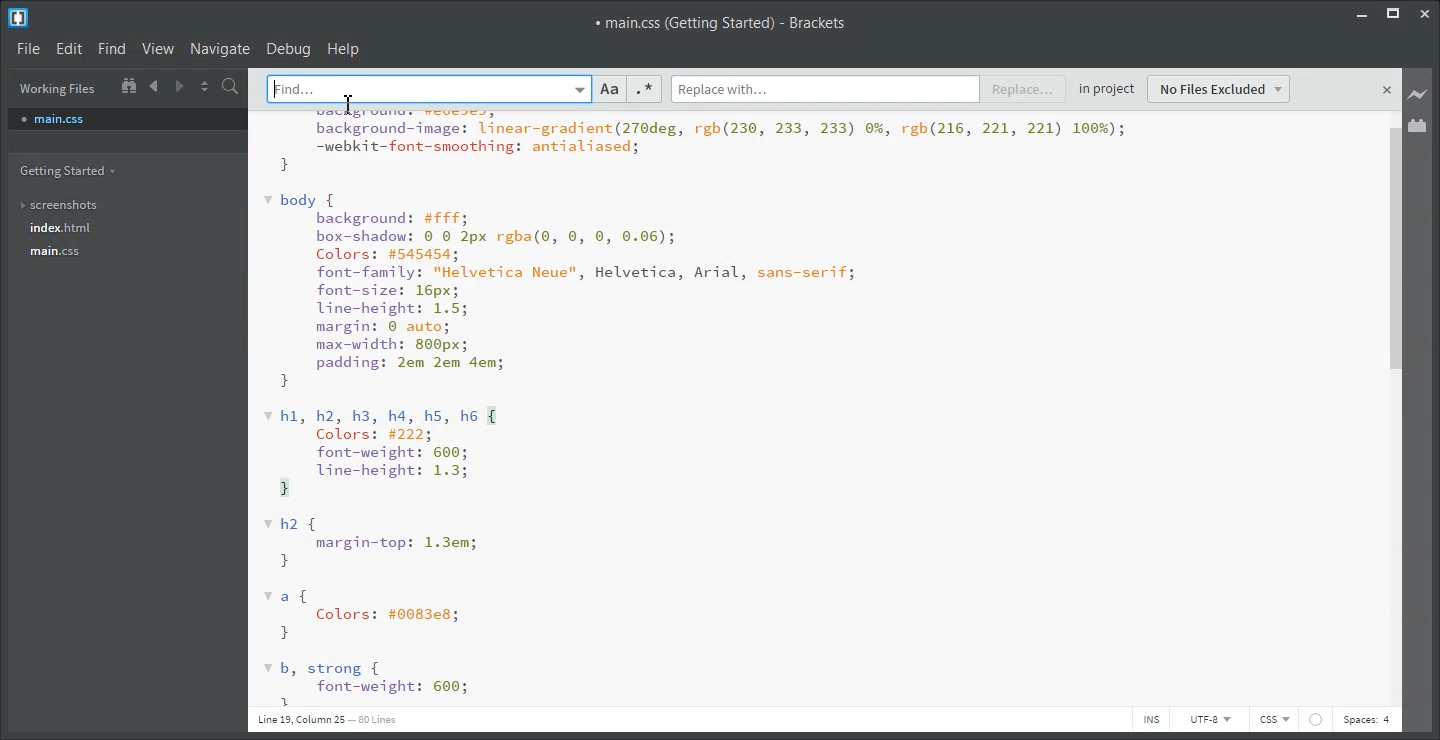 The width and height of the screenshot is (1440, 740). What do you see at coordinates (205, 85) in the screenshot?
I see `Split the editor vertically and horizontally` at bounding box center [205, 85].